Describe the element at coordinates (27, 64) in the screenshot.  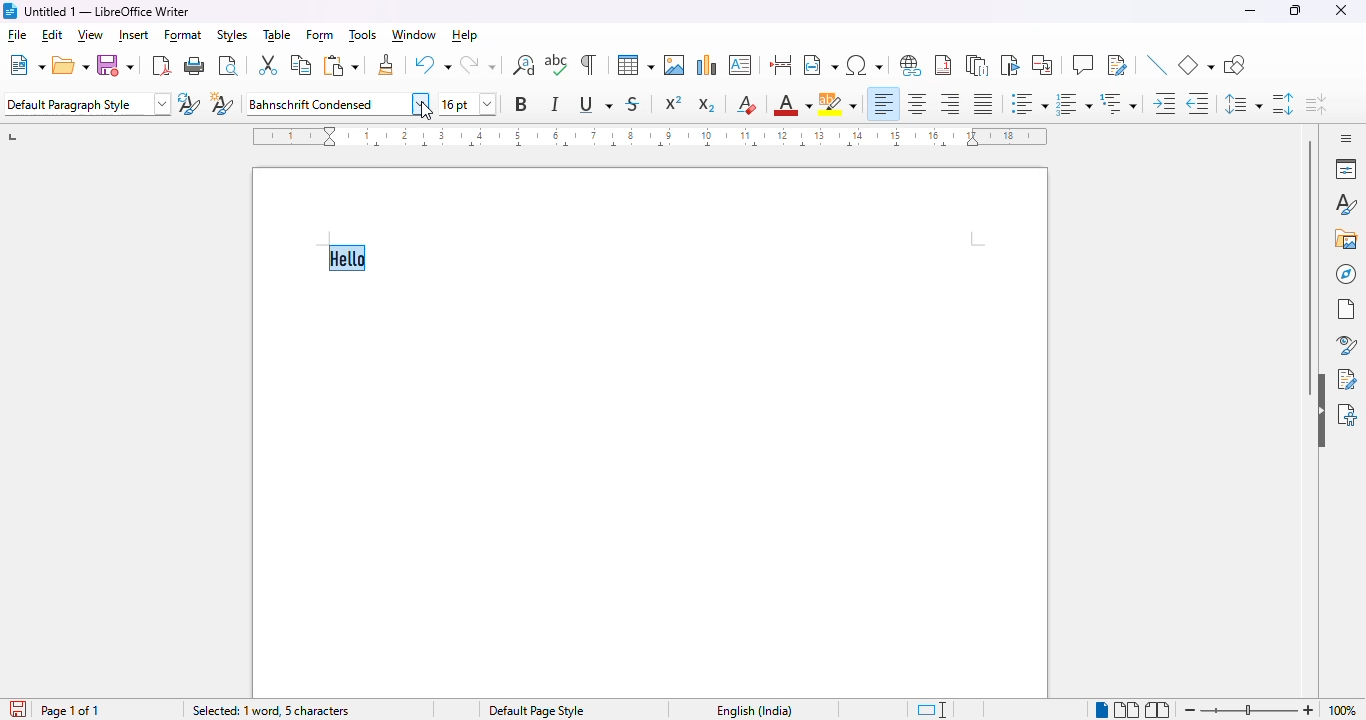
I see `new` at that location.